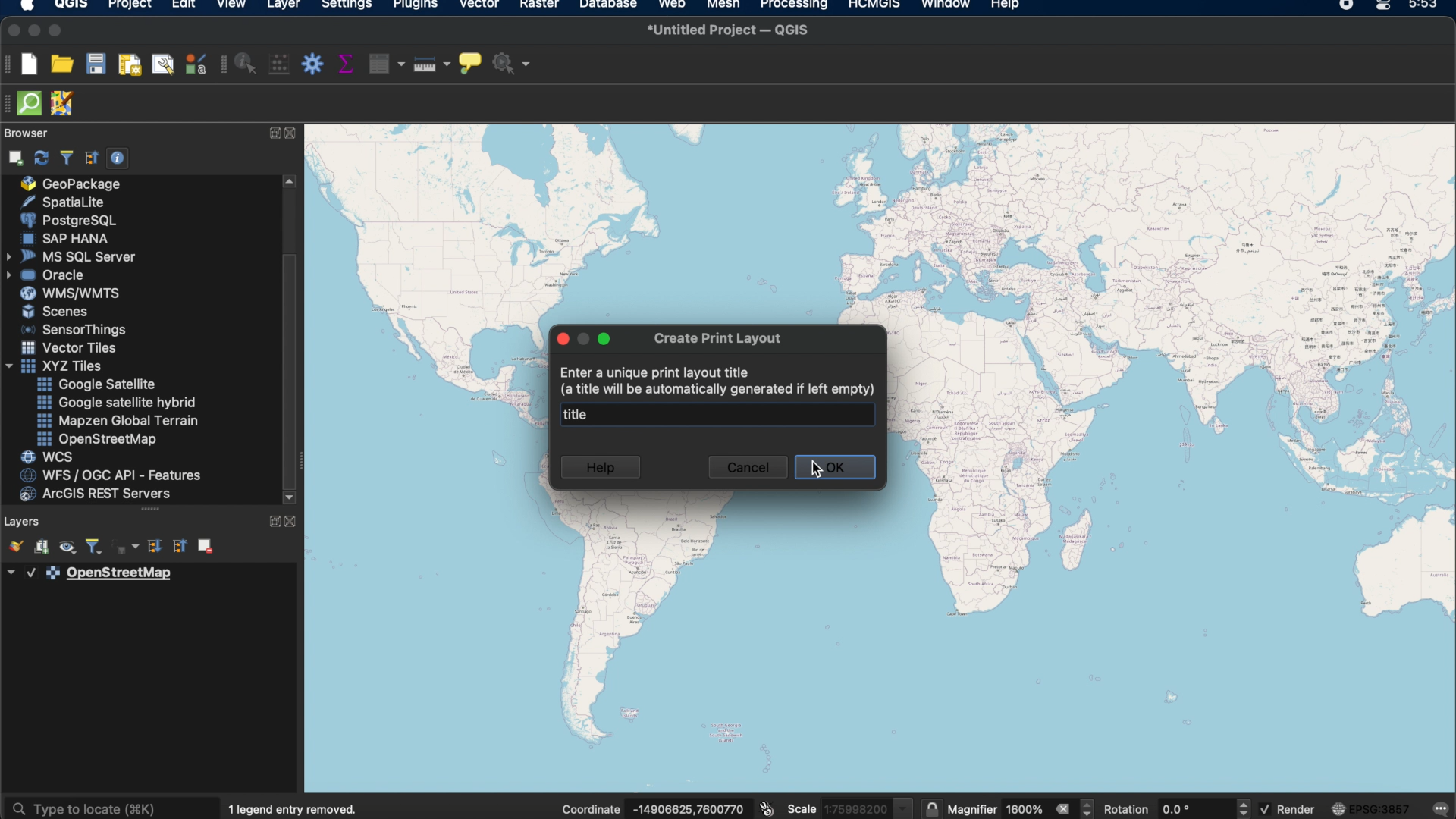  Describe the element at coordinates (293, 809) in the screenshot. I see `1 legend entry removed` at that location.